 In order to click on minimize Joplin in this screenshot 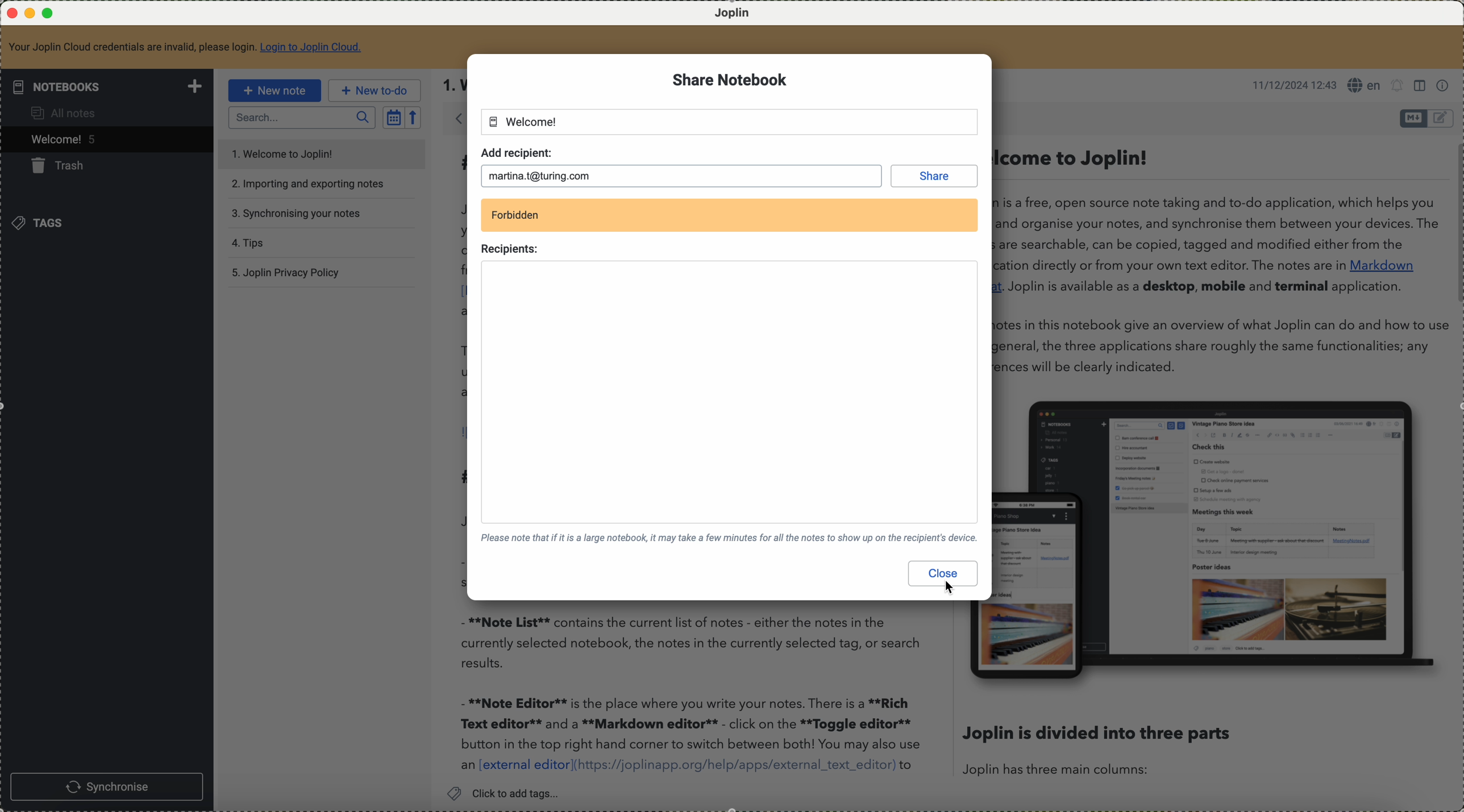, I will do `click(30, 14)`.